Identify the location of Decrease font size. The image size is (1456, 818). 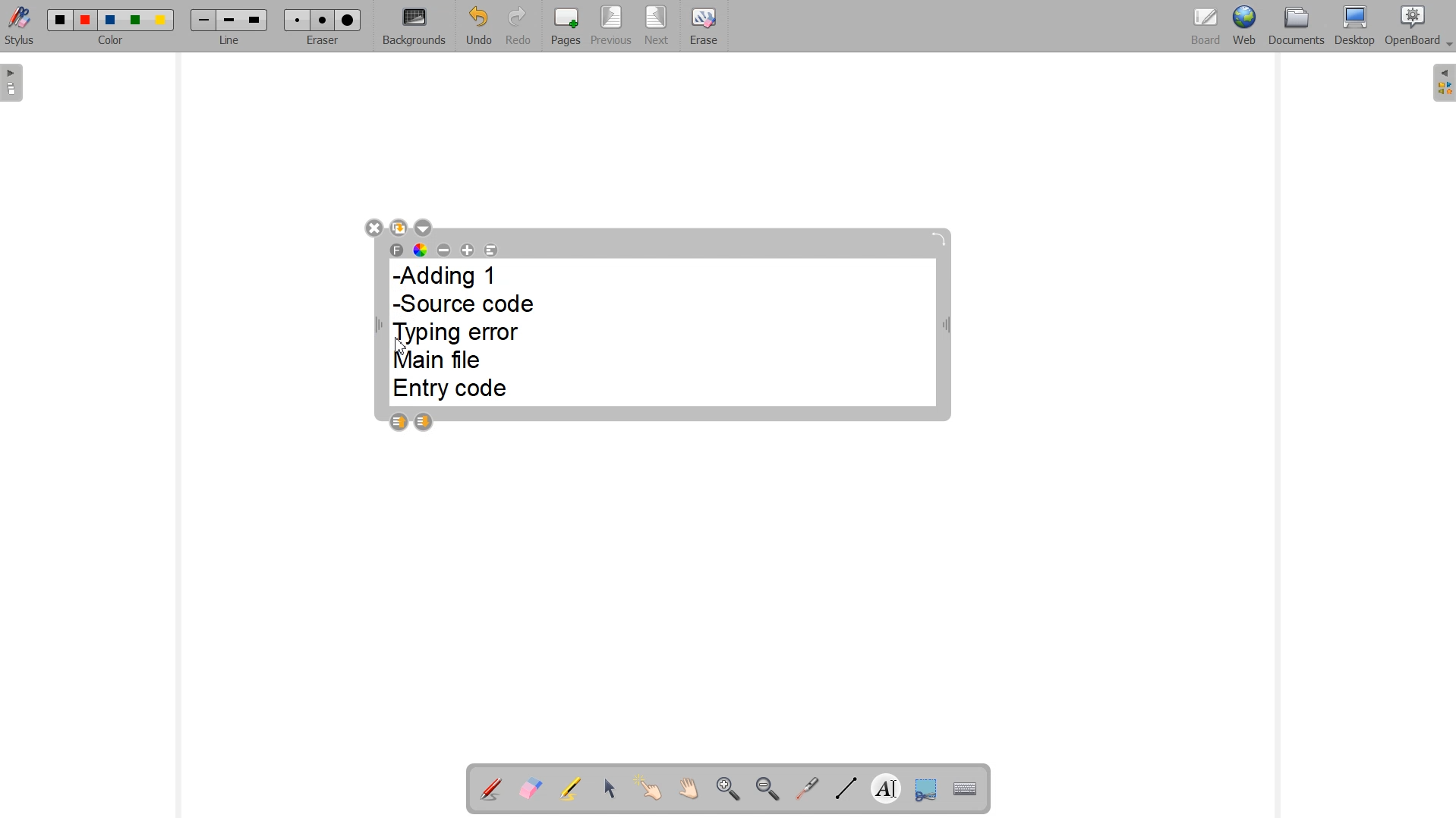
(444, 249).